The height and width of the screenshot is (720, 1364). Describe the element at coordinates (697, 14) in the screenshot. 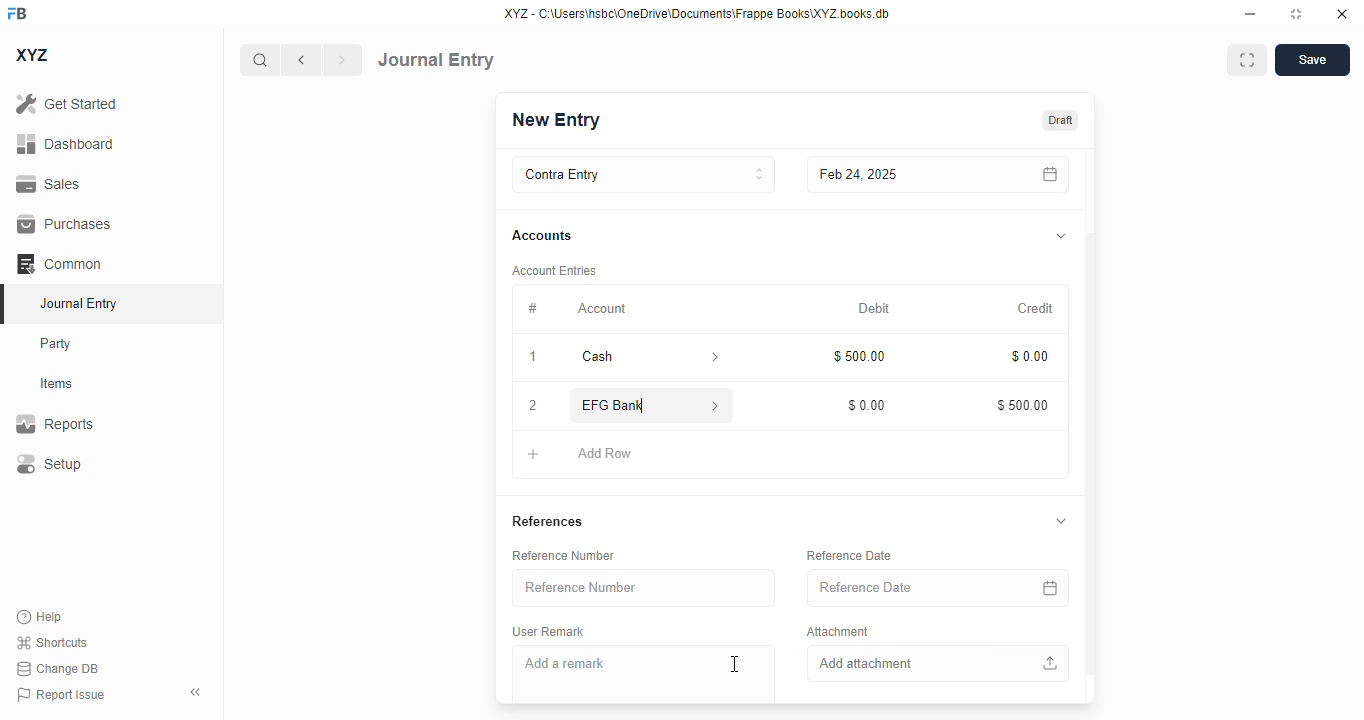

I see `XYZ - C:\Users\hsbc\OneDrive\Documents\Frappe Books\XYZ books. db` at that location.